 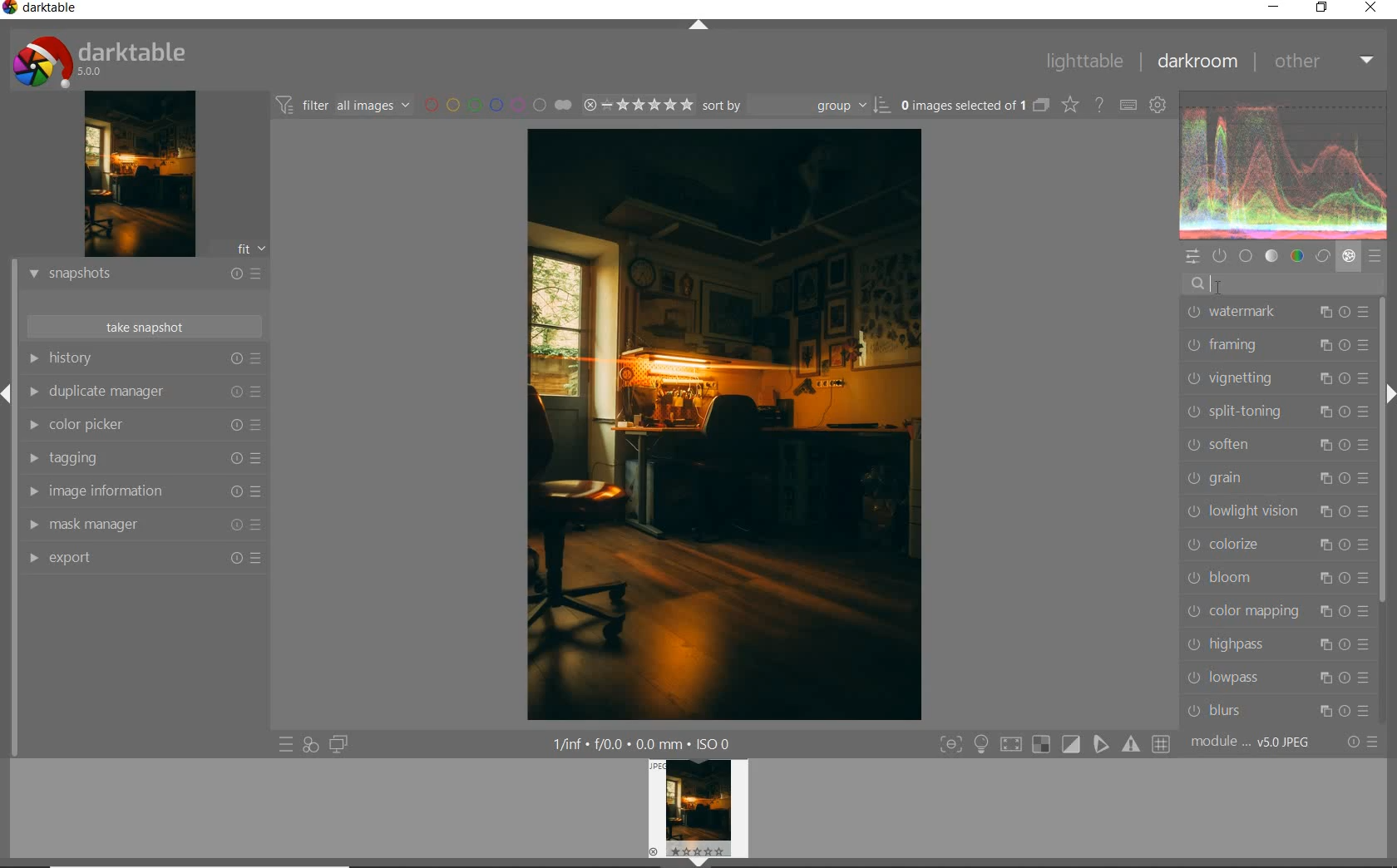 I want to click on search modules by name, so click(x=1285, y=284).